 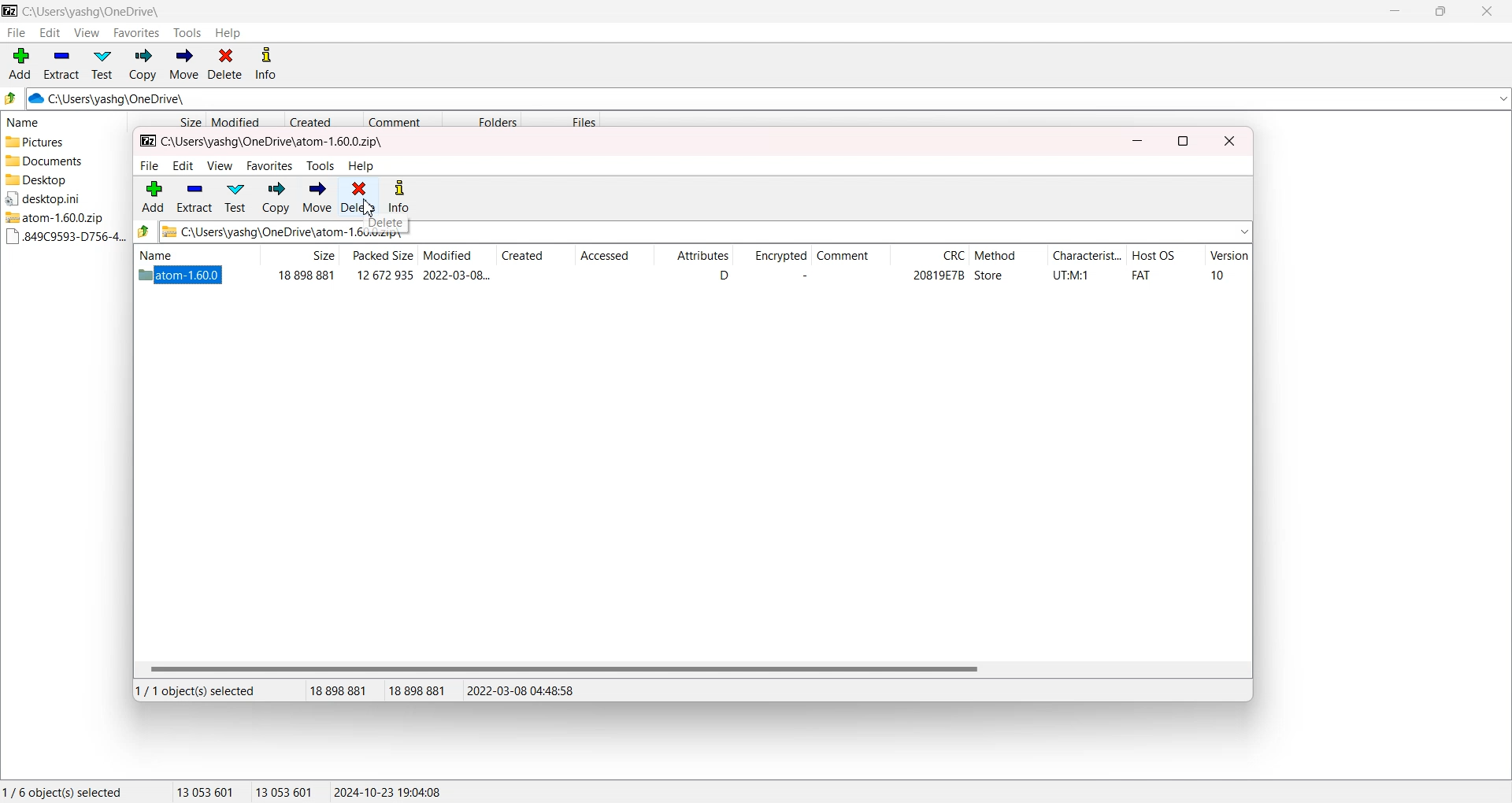 What do you see at coordinates (938, 276) in the screenshot?
I see `20819E7B` at bounding box center [938, 276].